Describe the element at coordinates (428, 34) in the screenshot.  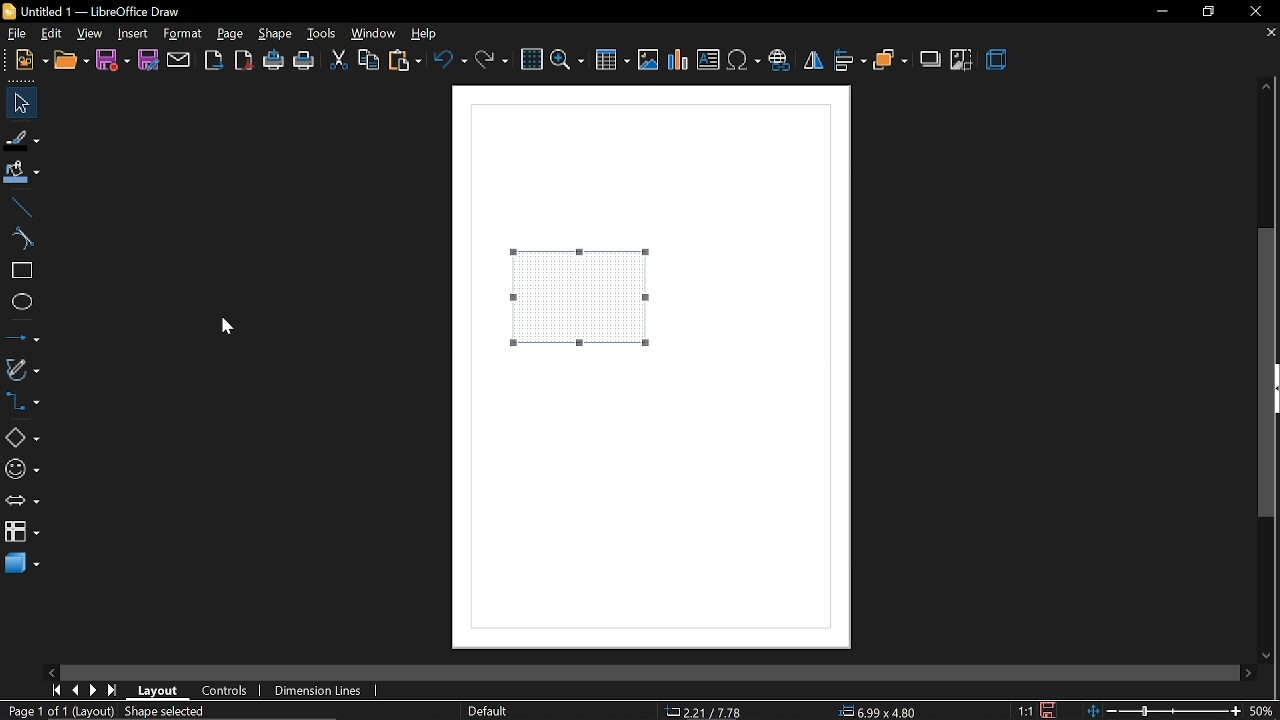
I see `help` at that location.